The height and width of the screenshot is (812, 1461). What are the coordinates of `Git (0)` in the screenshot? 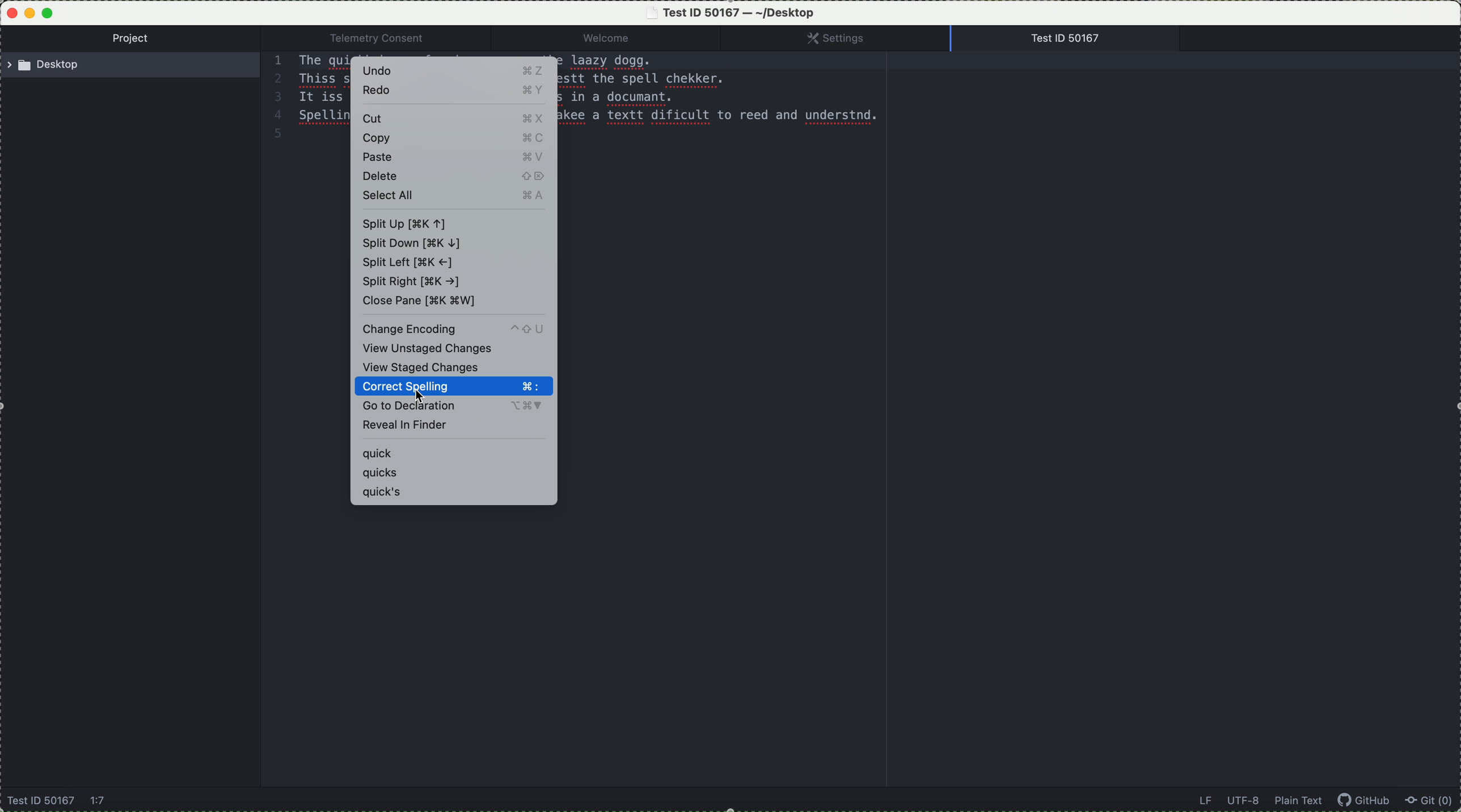 It's located at (1433, 802).